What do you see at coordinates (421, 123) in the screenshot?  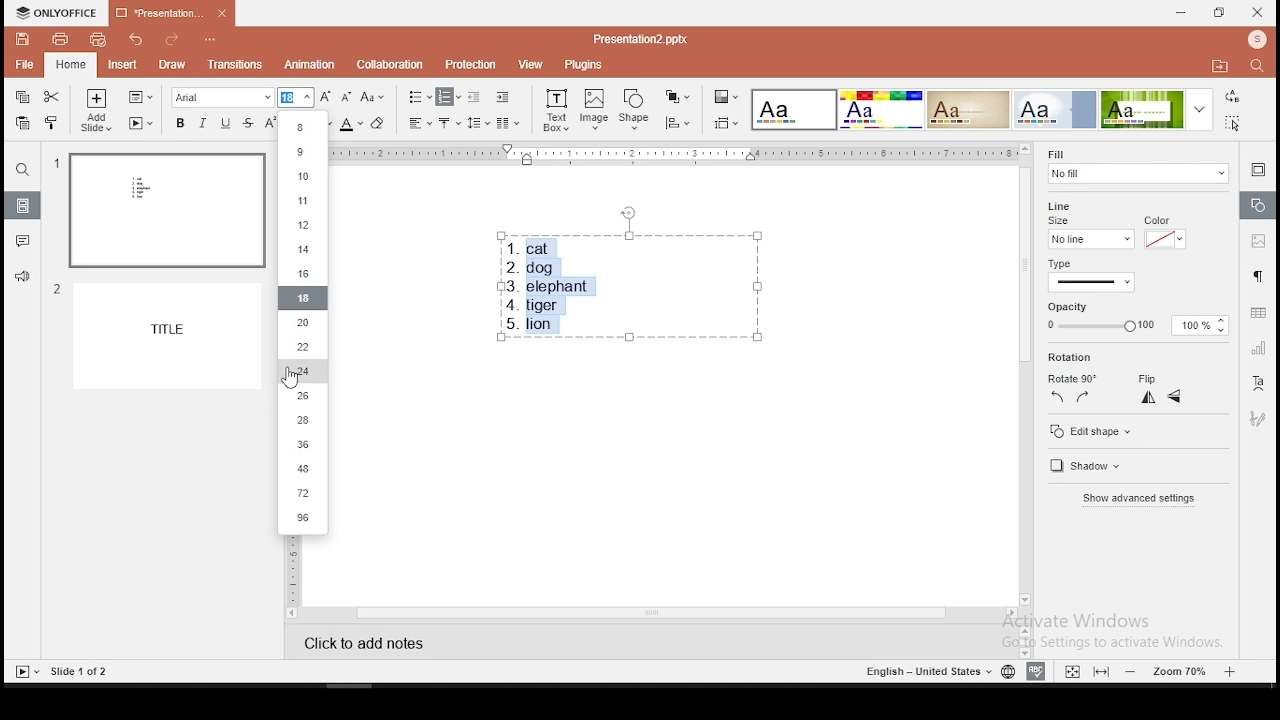 I see `horizontal align` at bounding box center [421, 123].